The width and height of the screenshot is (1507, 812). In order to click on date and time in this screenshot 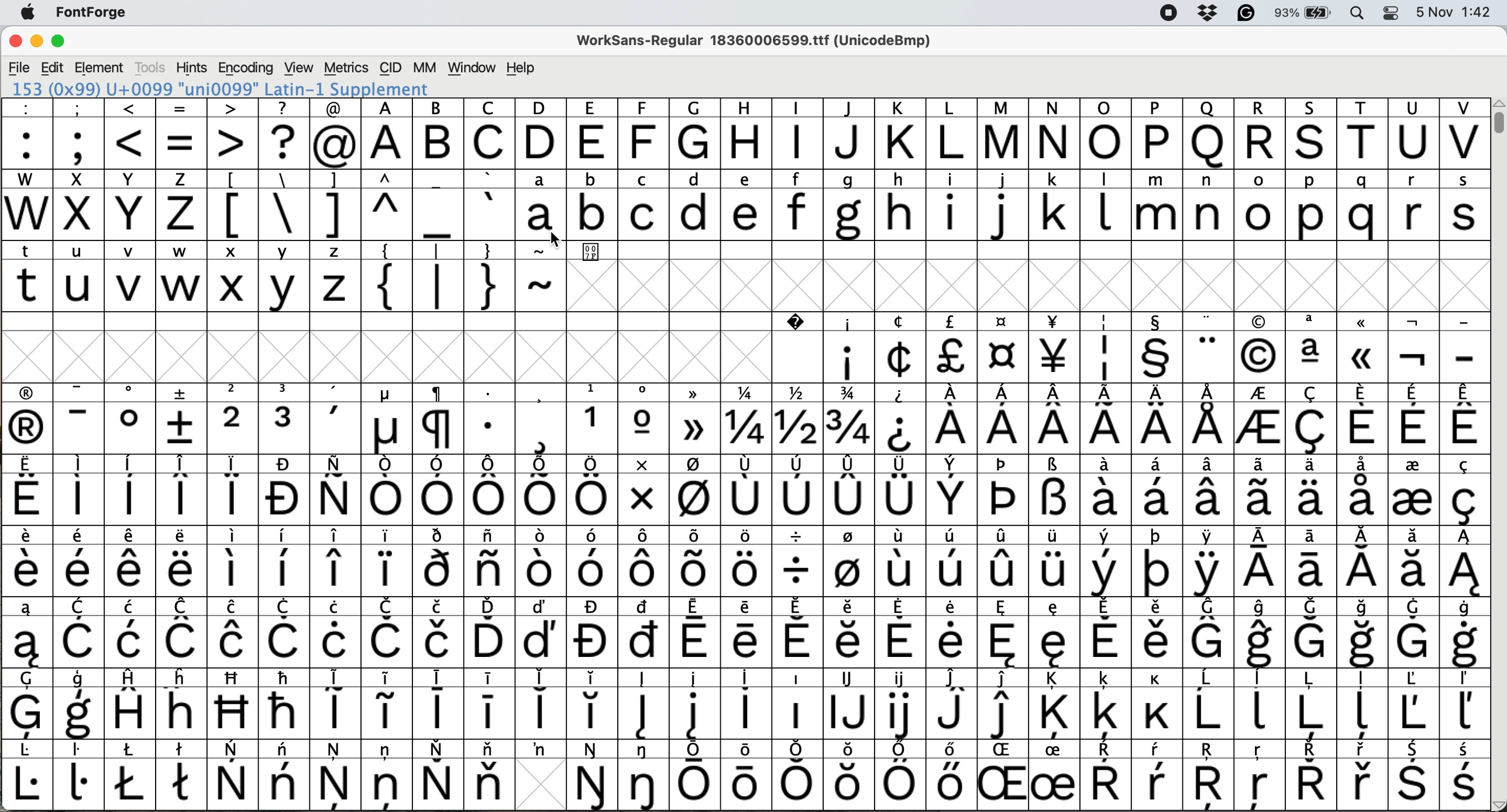, I will do `click(1454, 11)`.